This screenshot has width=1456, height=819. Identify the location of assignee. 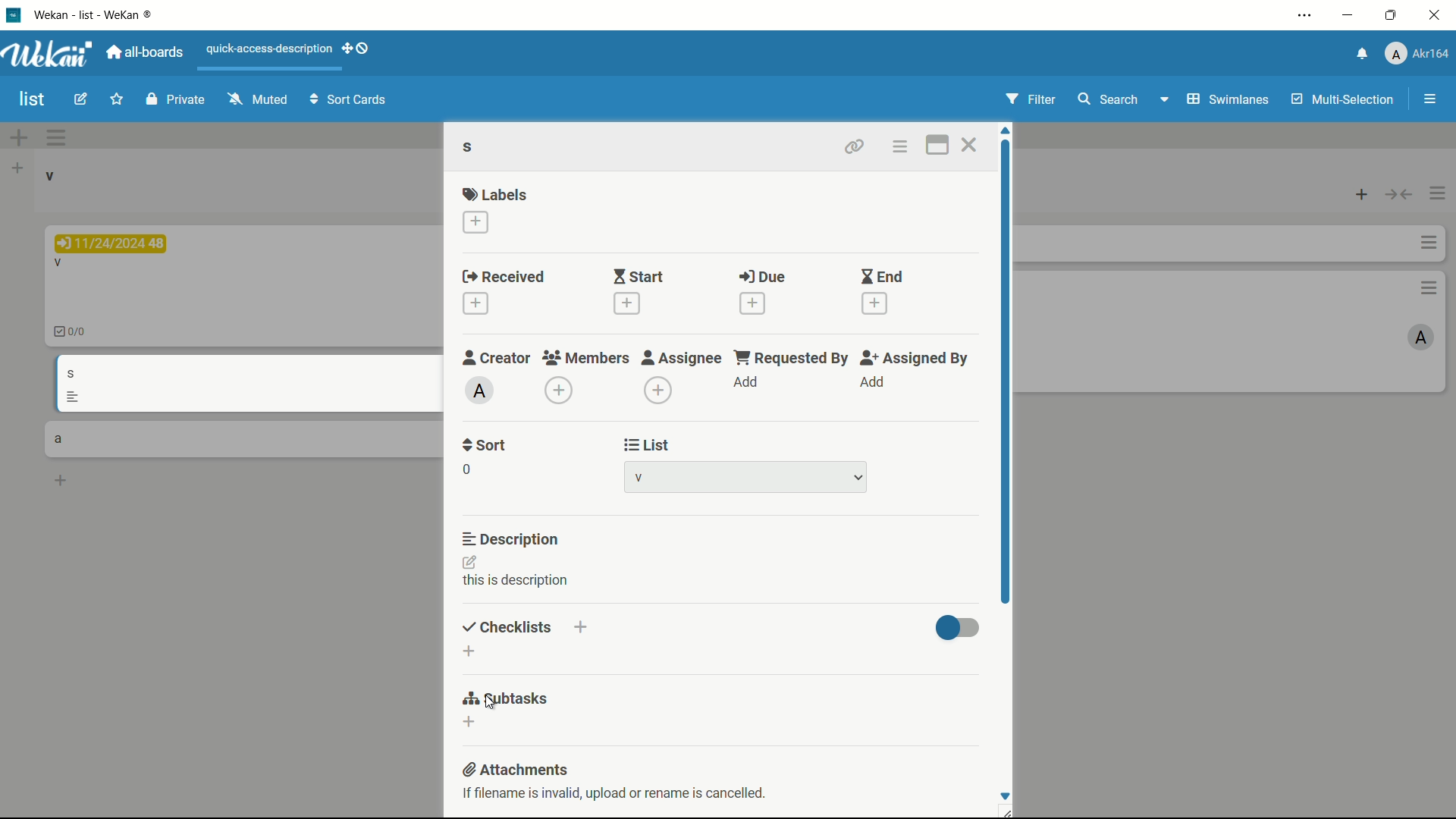
(682, 359).